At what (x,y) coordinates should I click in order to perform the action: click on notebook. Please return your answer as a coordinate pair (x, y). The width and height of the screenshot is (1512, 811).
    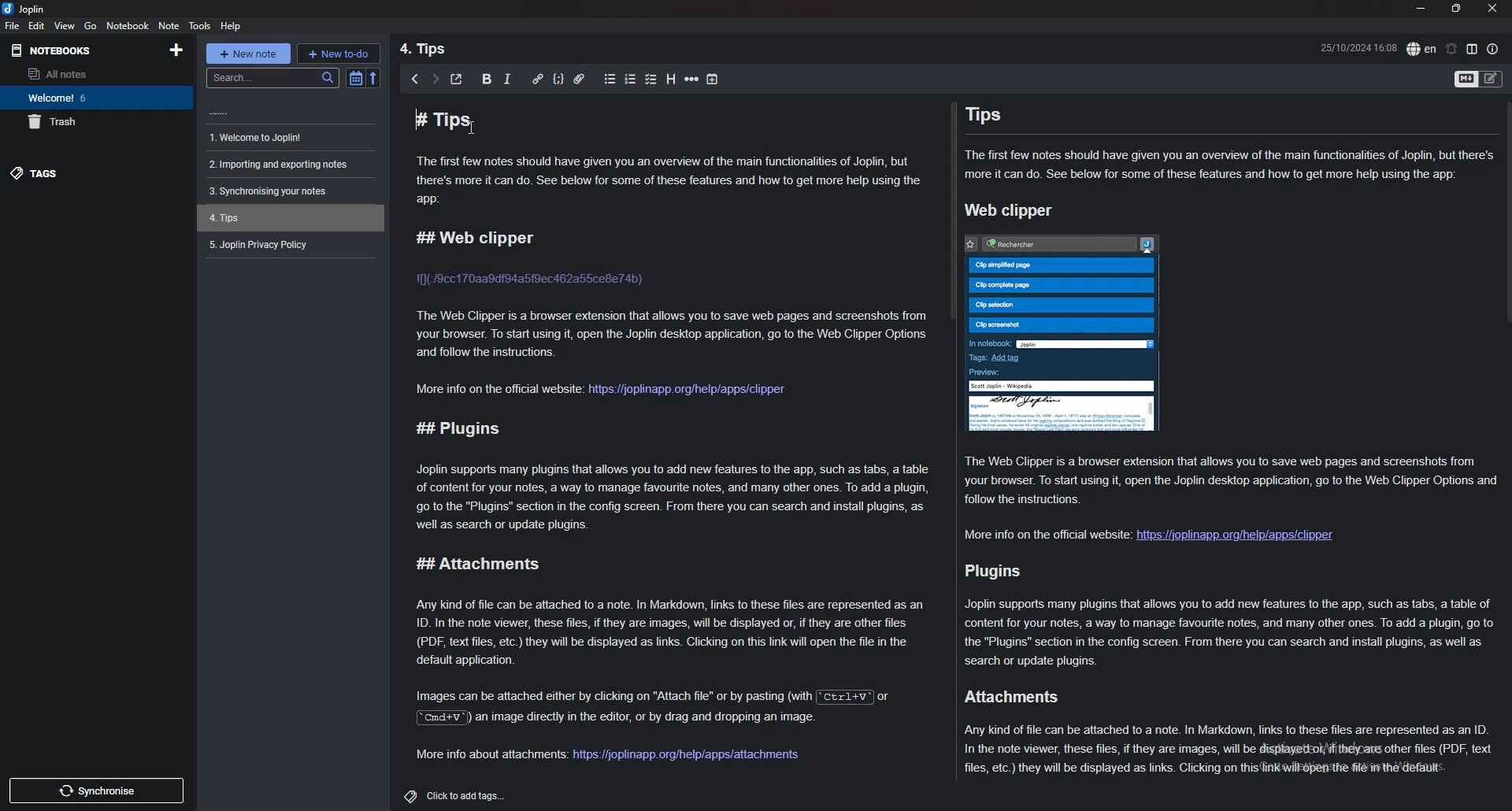
    Looking at the image, I should click on (128, 25).